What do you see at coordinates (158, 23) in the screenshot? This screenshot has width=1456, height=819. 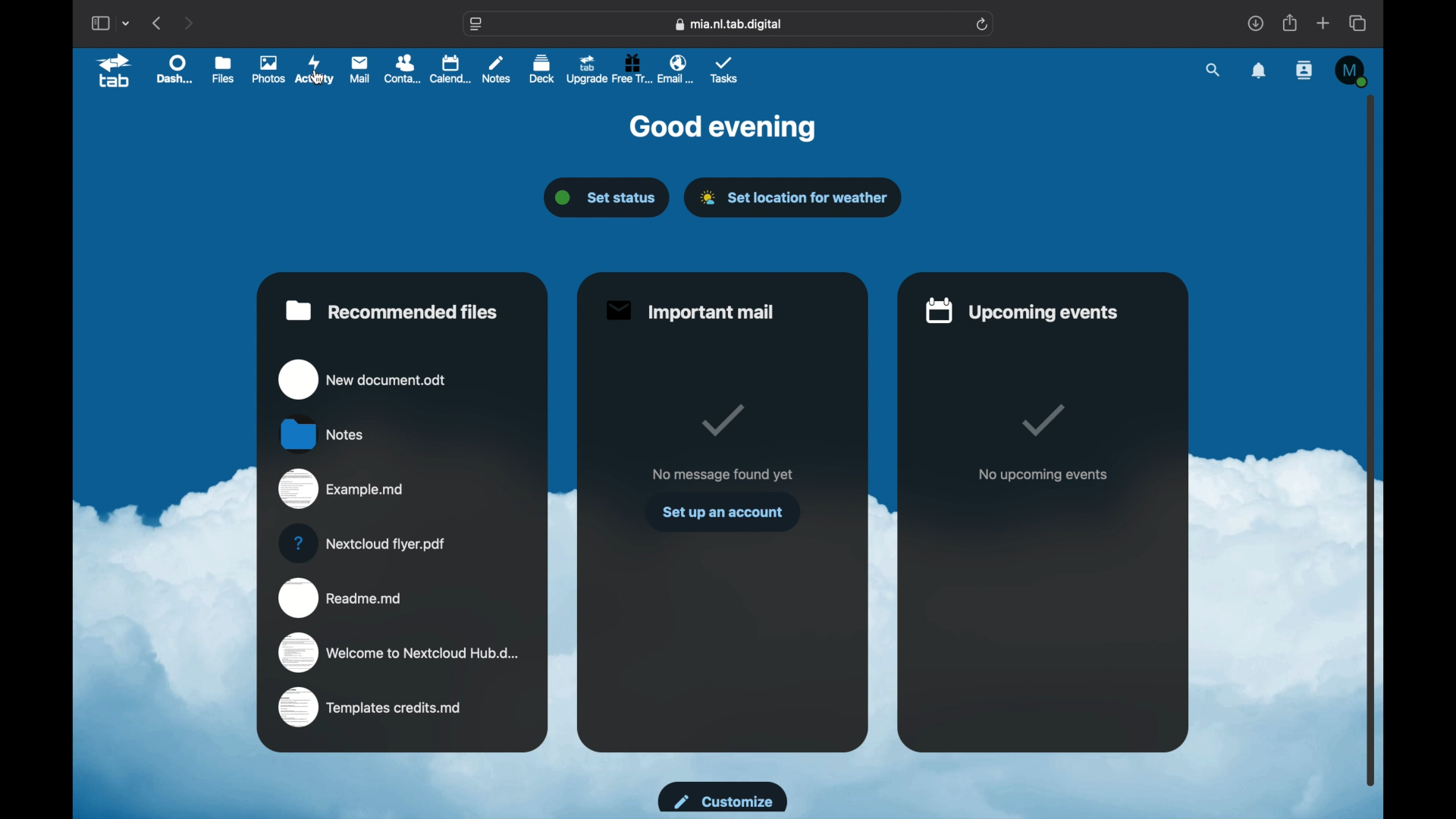 I see `back` at bounding box center [158, 23].